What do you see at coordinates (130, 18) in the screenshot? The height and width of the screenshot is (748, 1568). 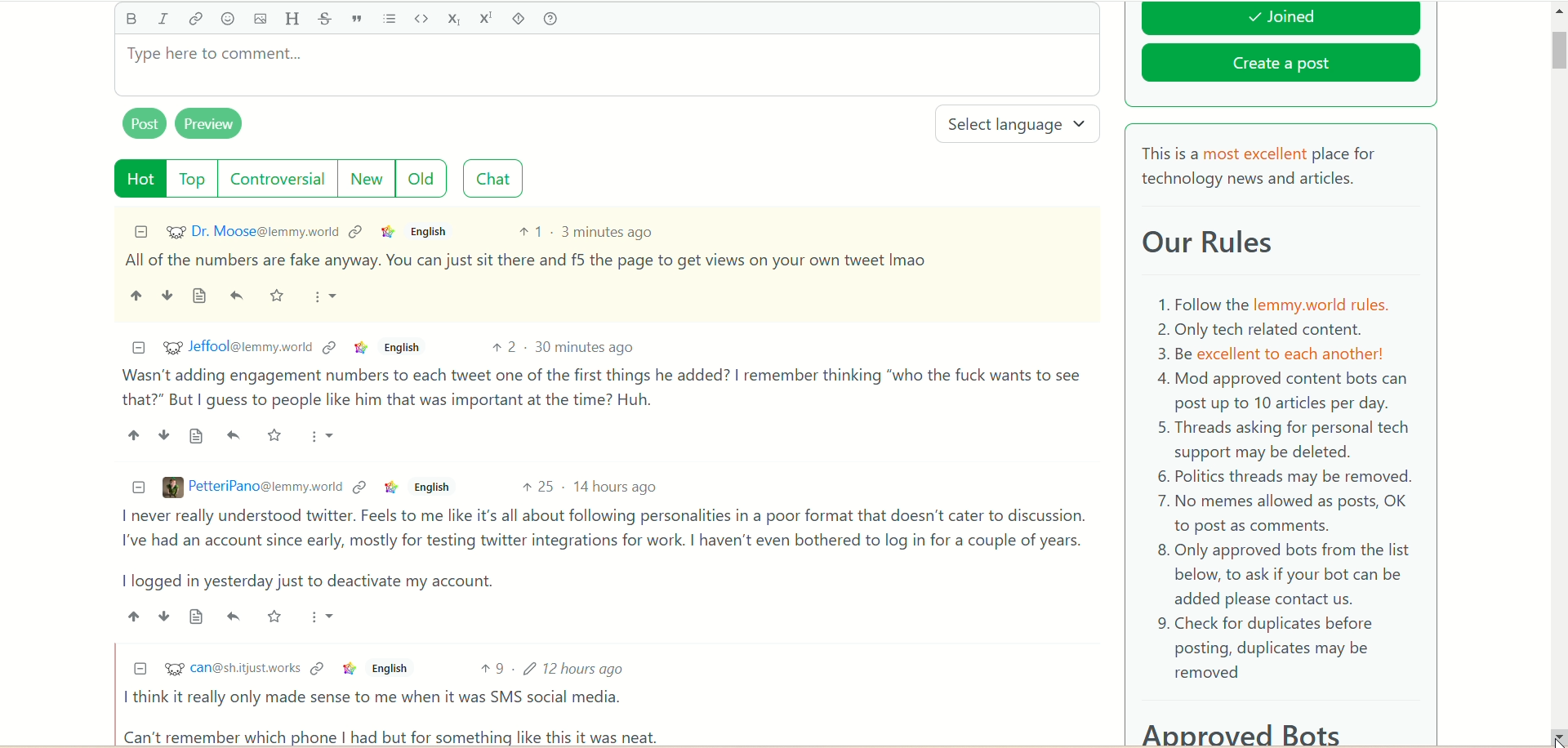 I see `bold` at bounding box center [130, 18].